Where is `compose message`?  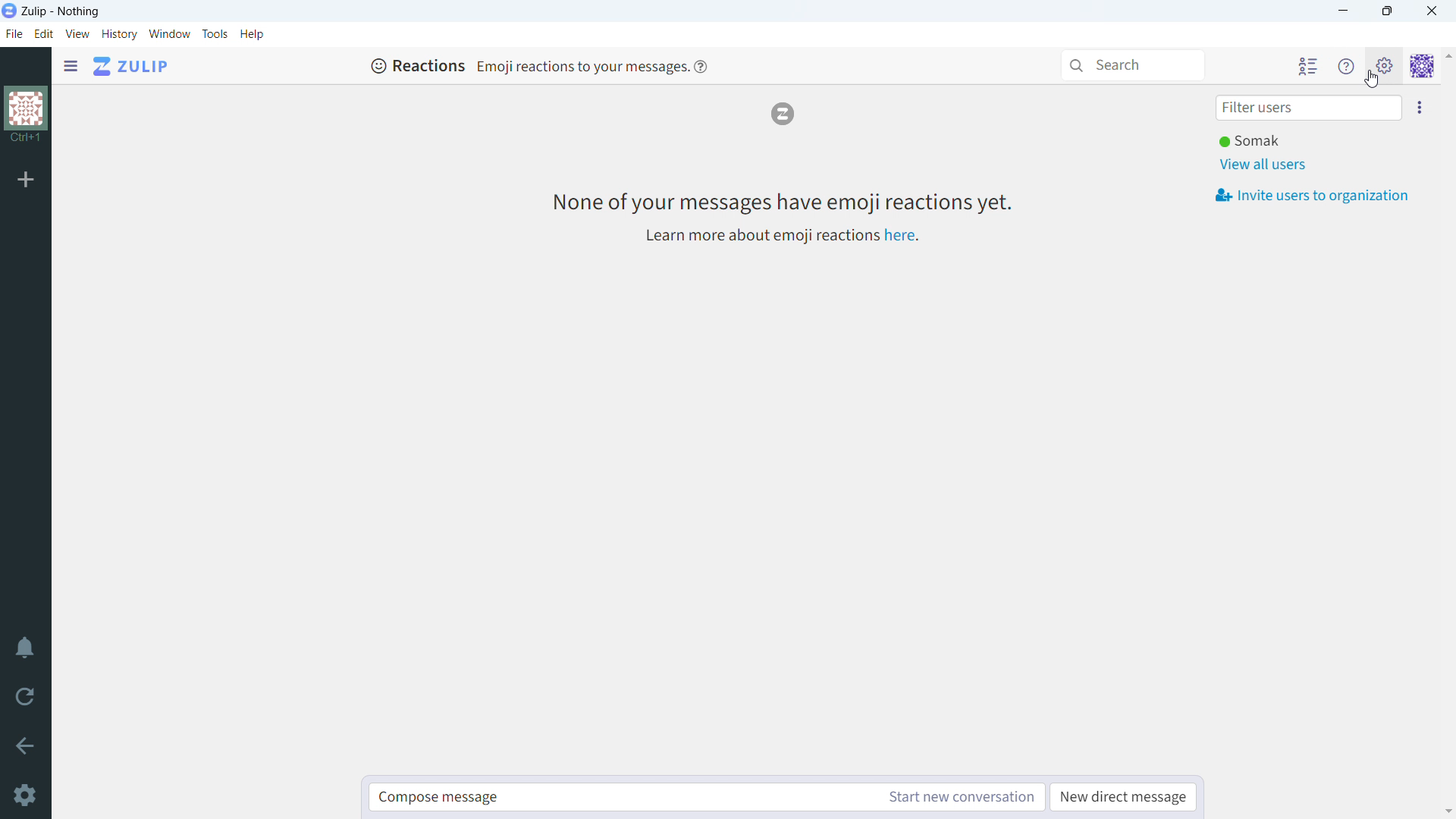 compose message is located at coordinates (620, 797).